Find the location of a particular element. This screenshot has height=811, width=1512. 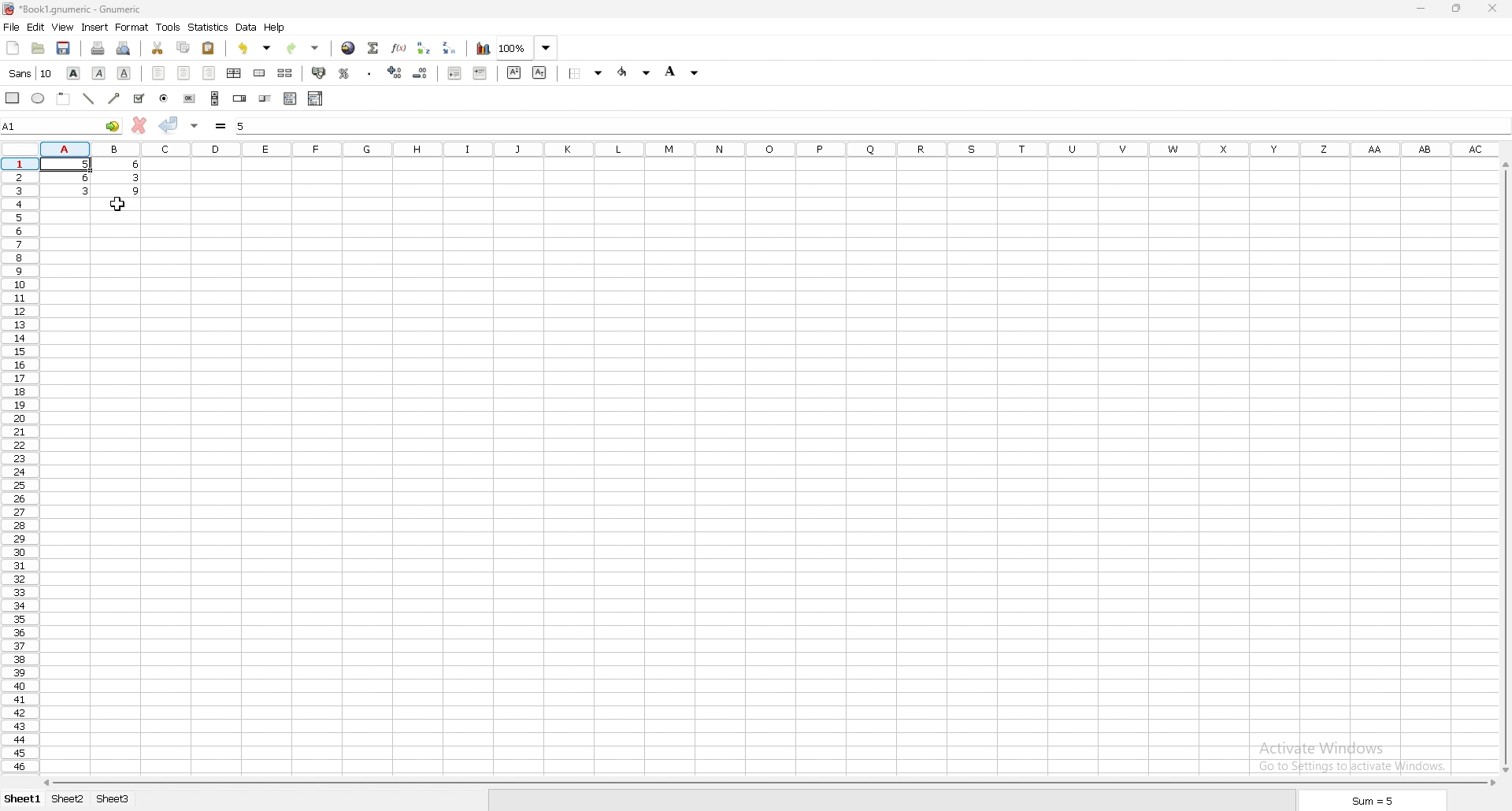

center is located at coordinates (185, 74).